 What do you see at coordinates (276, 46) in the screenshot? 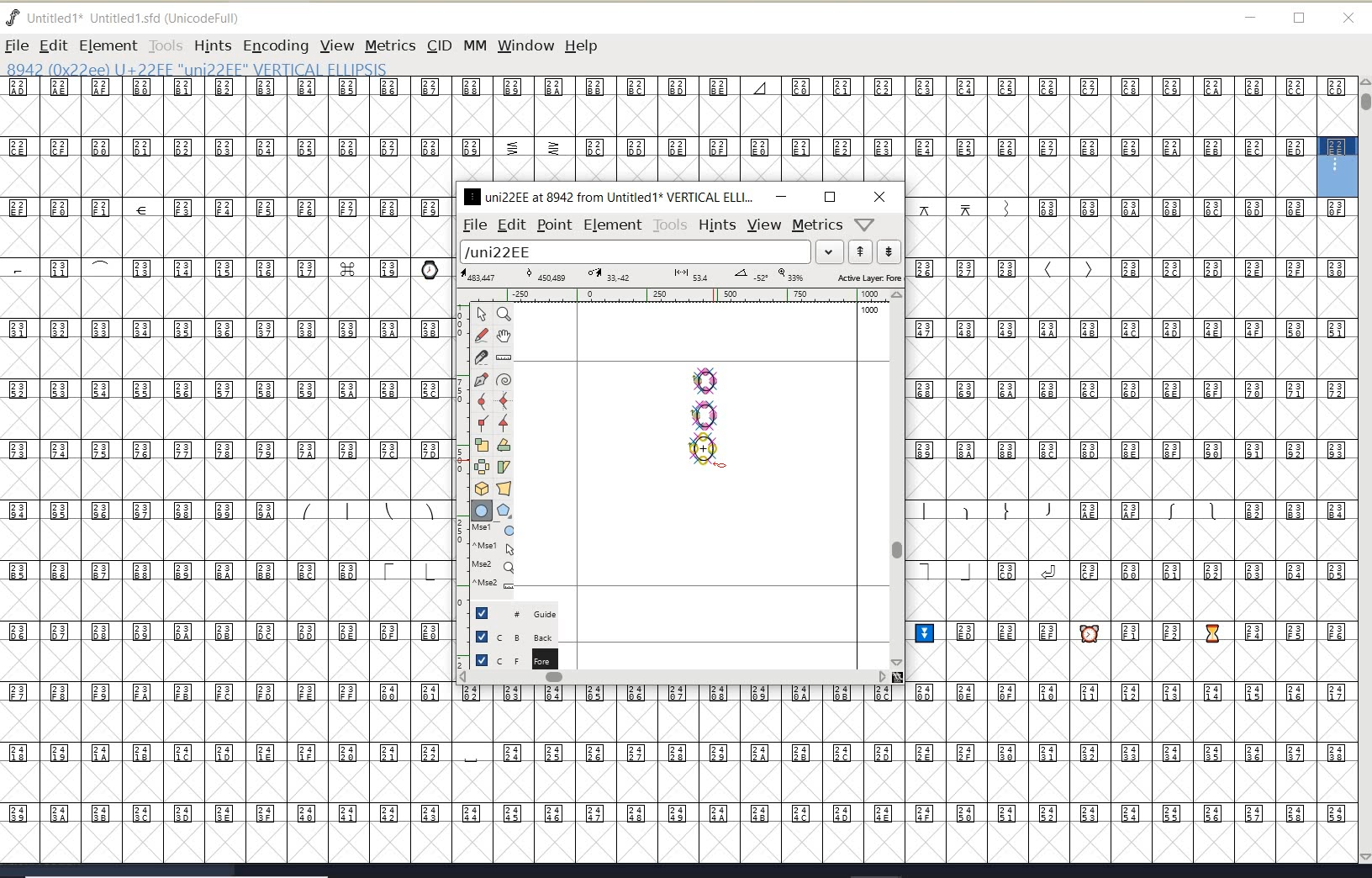
I see `ENCODING` at bounding box center [276, 46].